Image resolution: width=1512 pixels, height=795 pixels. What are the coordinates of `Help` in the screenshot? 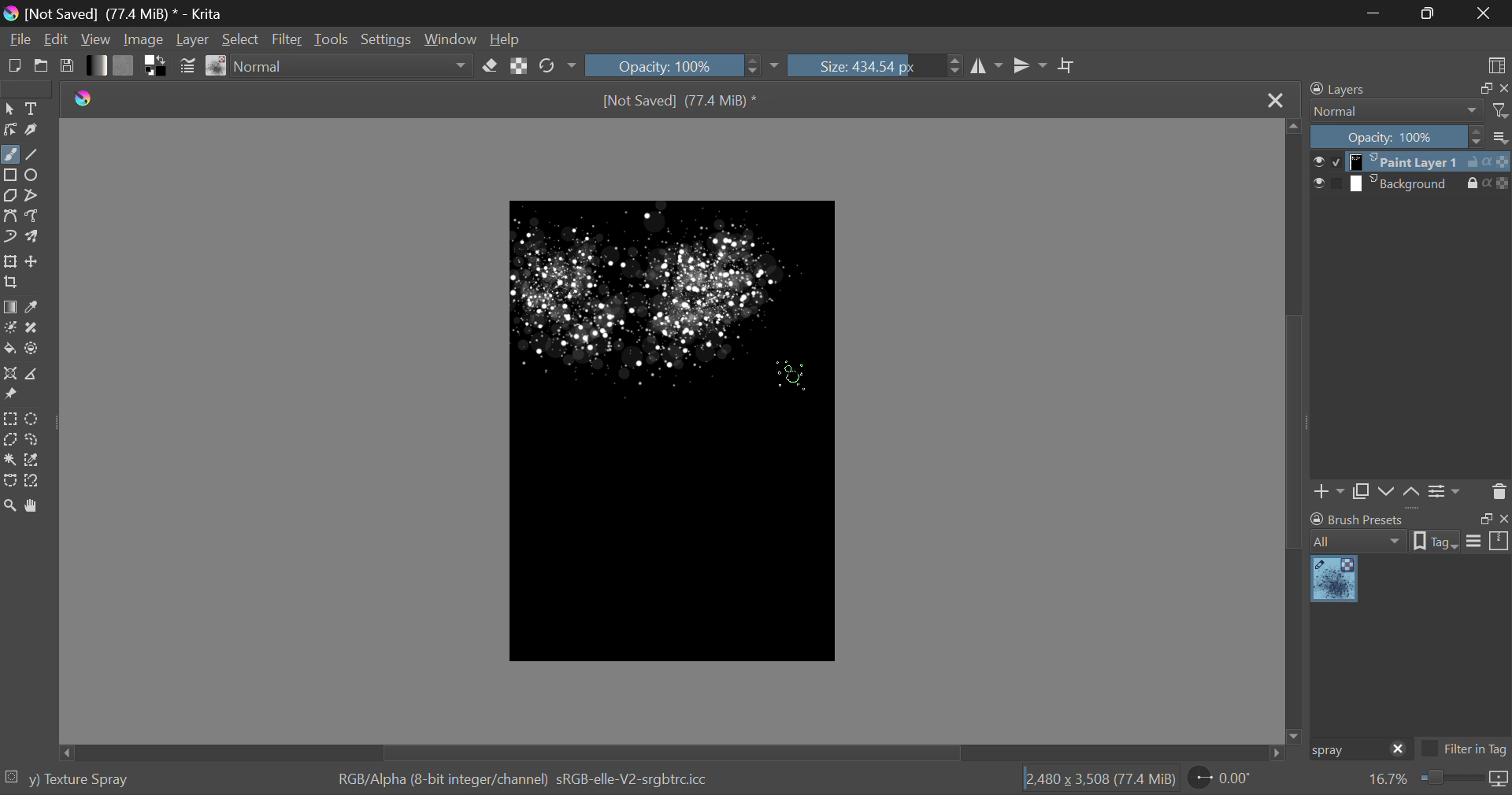 It's located at (506, 36).